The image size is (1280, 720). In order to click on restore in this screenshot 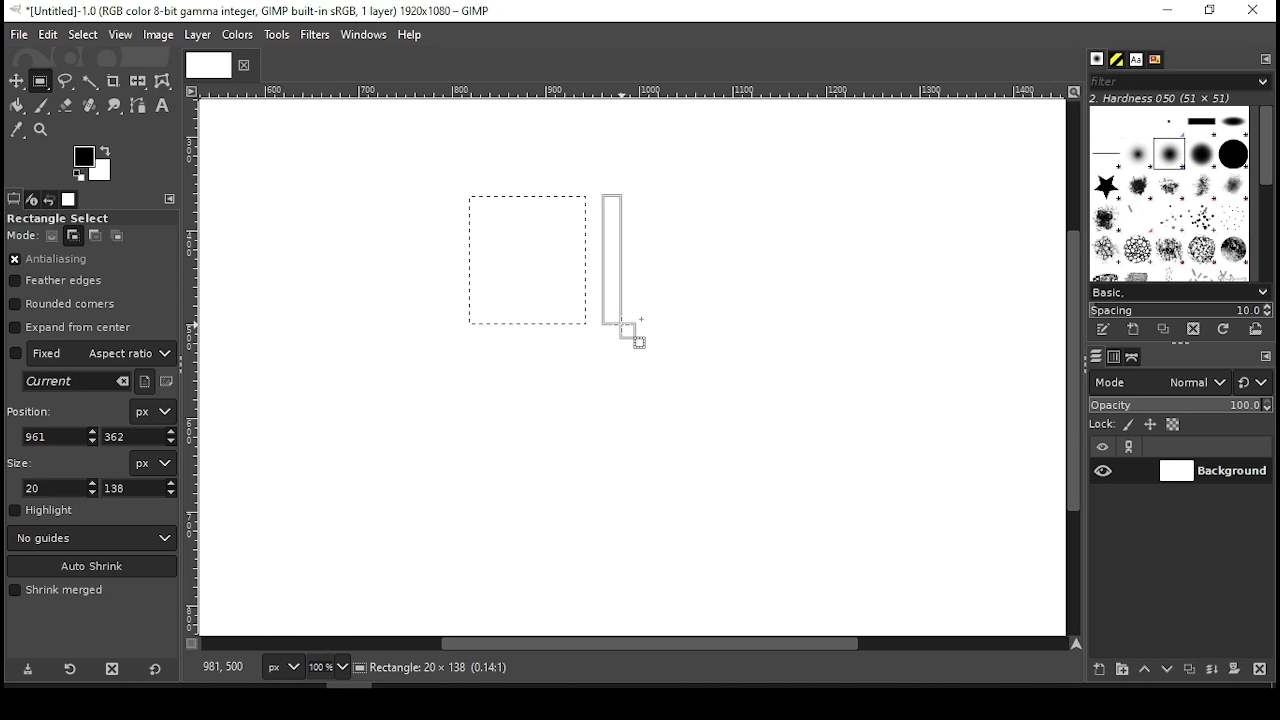, I will do `click(1212, 11)`.